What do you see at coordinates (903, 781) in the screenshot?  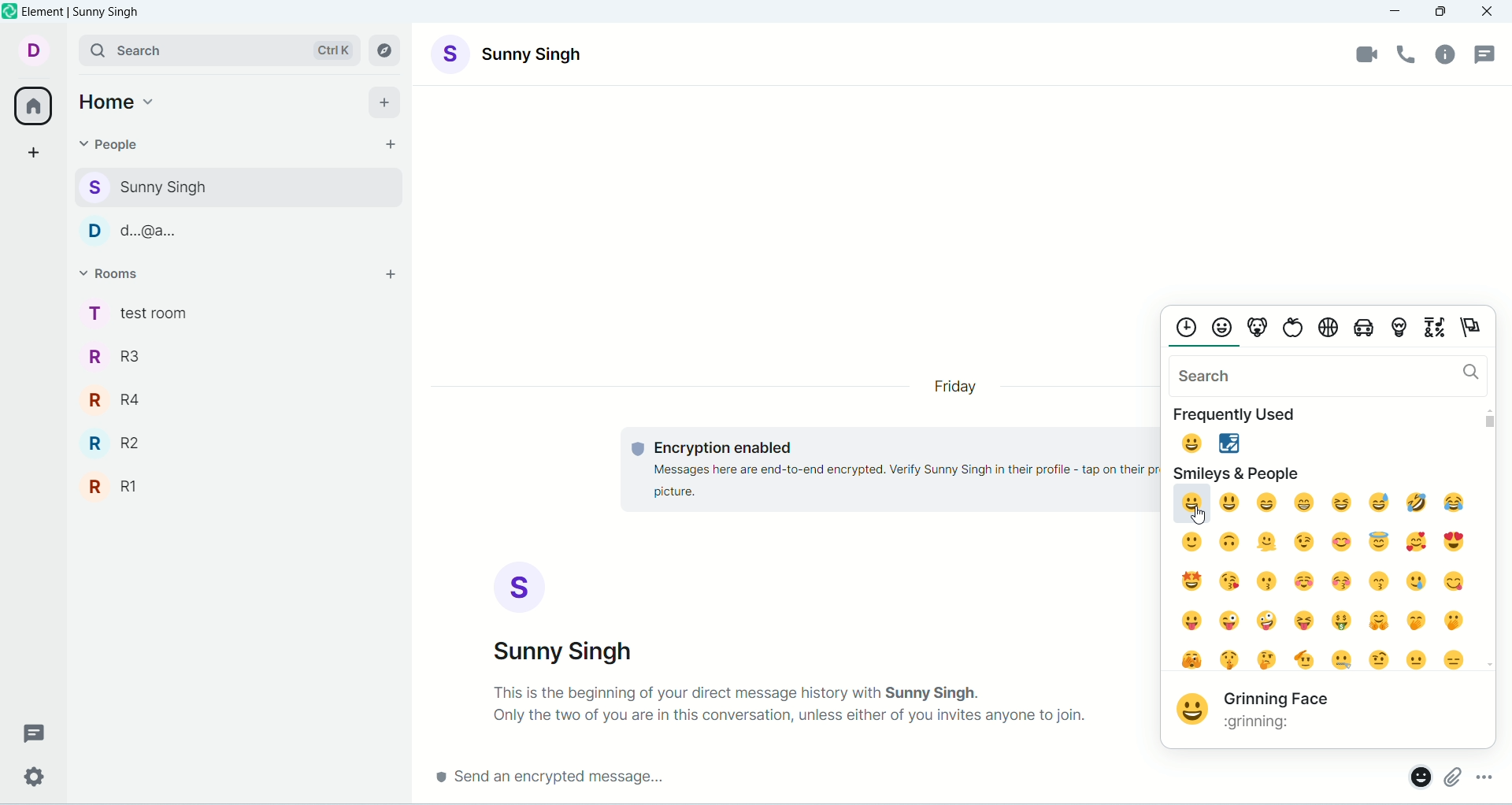 I see `send encrypted message` at bounding box center [903, 781].